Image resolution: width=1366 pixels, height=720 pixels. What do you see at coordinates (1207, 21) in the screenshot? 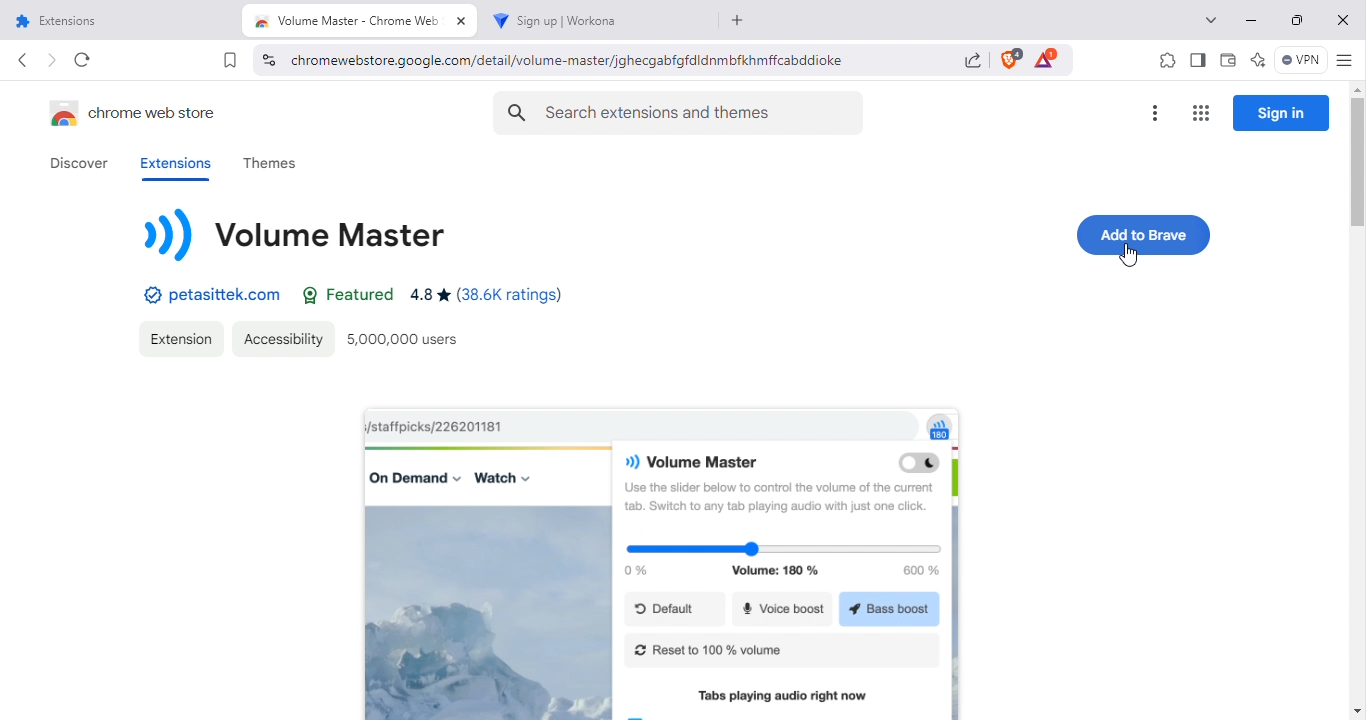
I see `Search tabs` at bounding box center [1207, 21].